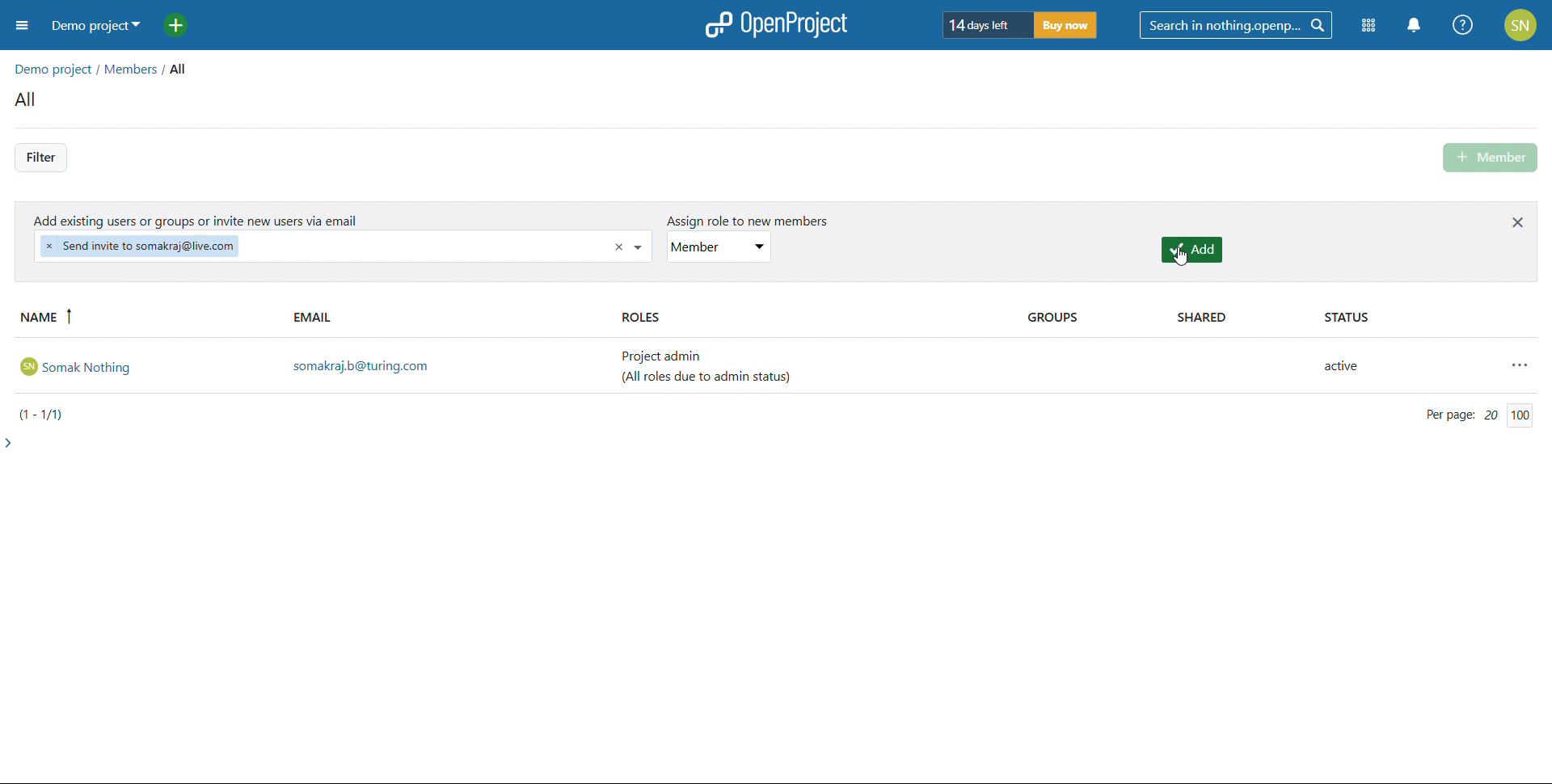 The width and height of the screenshot is (1552, 784). What do you see at coordinates (145, 365) in the screenshot?
I see `somak Nothing ` at bounding box center [145, 365].